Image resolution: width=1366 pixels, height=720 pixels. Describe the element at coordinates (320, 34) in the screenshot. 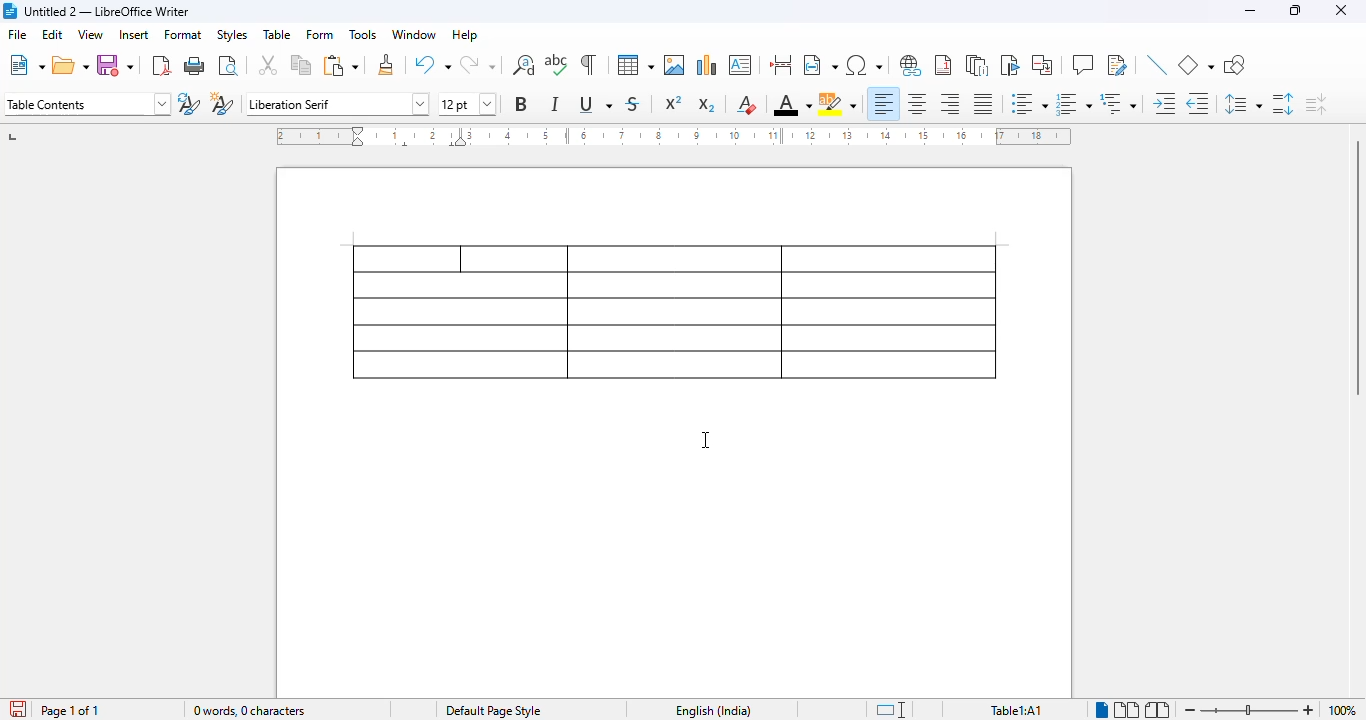

I see `form` at that location.